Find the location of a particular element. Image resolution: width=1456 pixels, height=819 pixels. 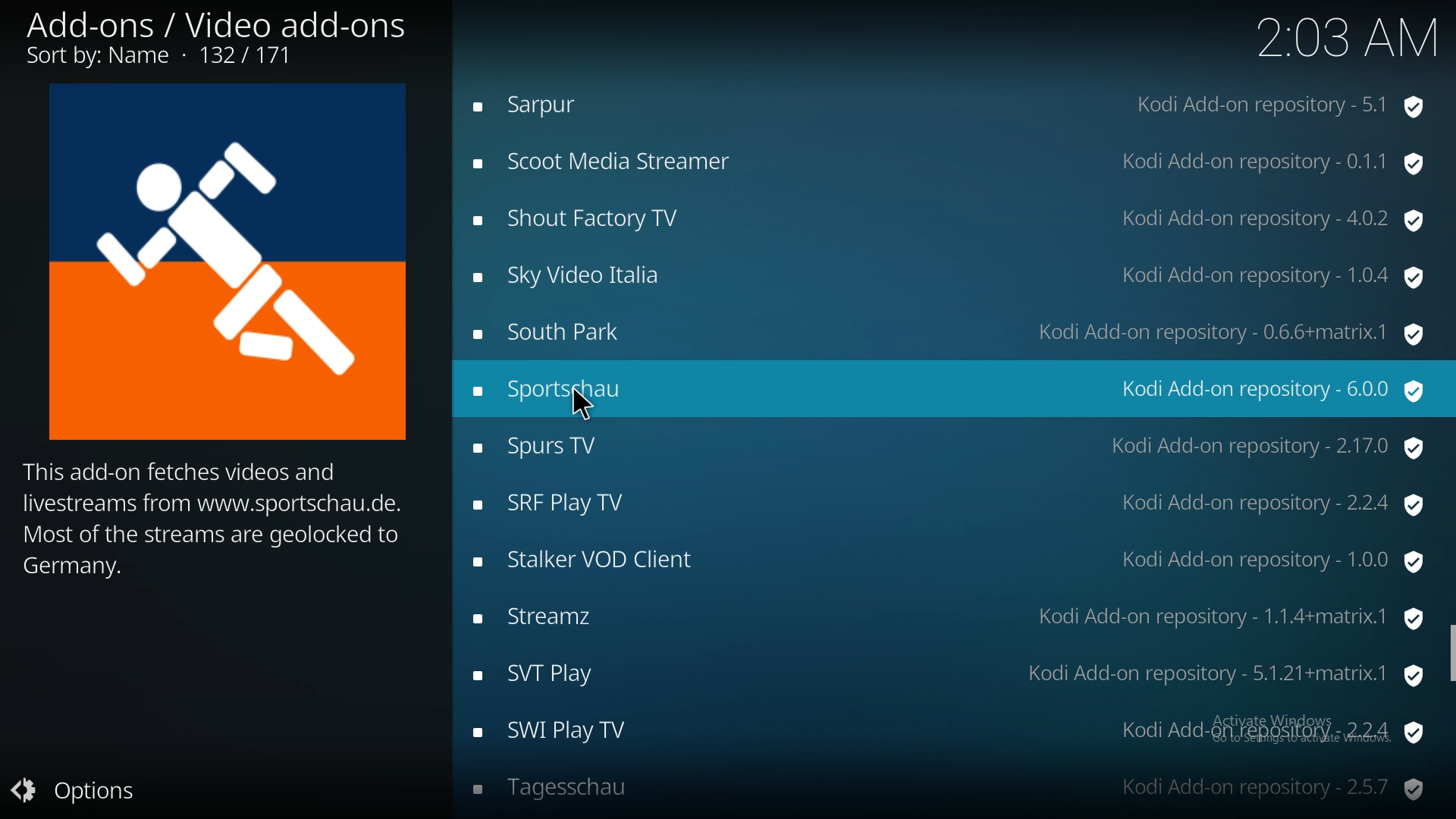

srf play tv is located at coordinates (958, 505).